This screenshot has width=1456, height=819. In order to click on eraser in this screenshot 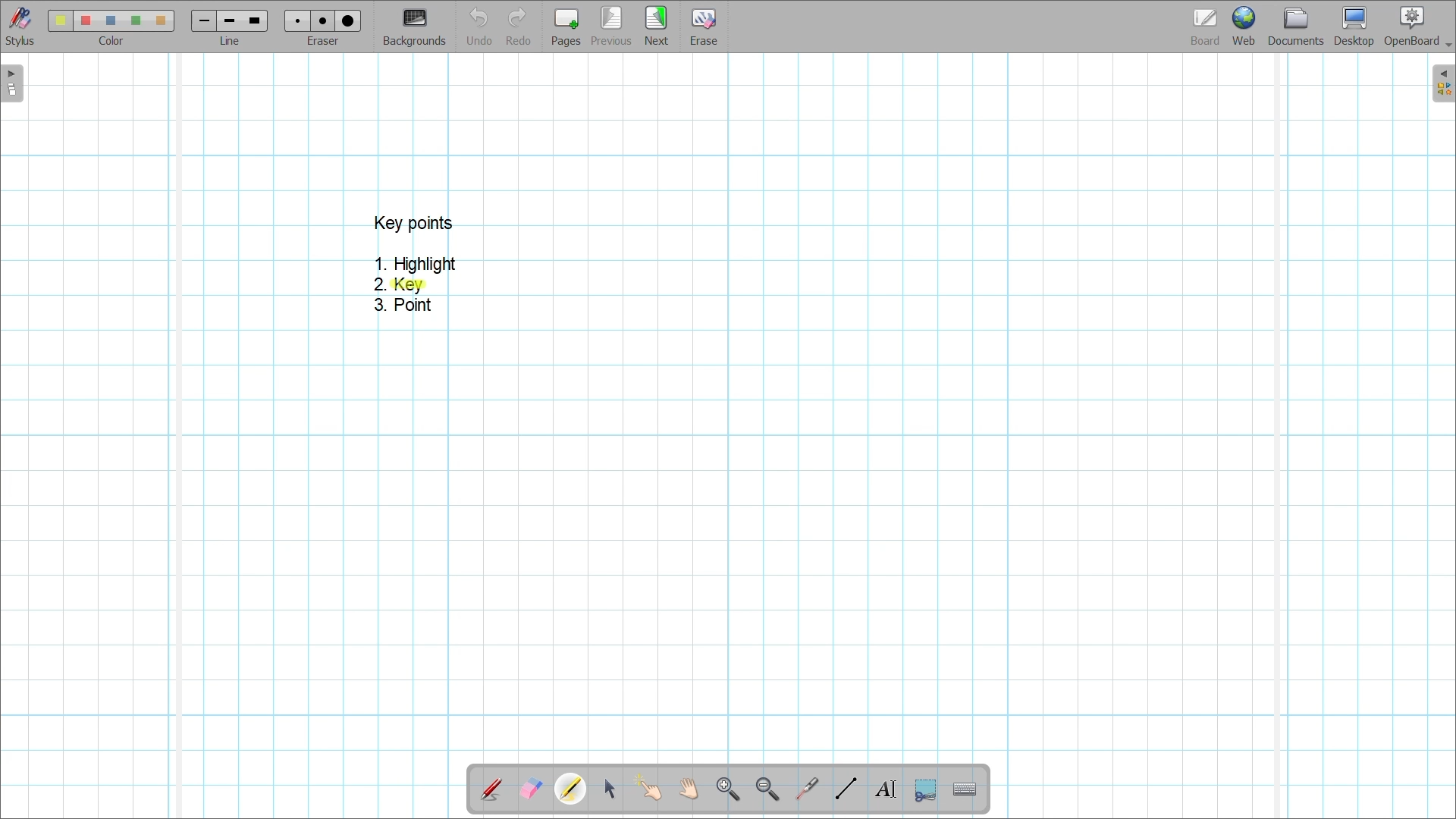, I will do `click(326, 42)`.